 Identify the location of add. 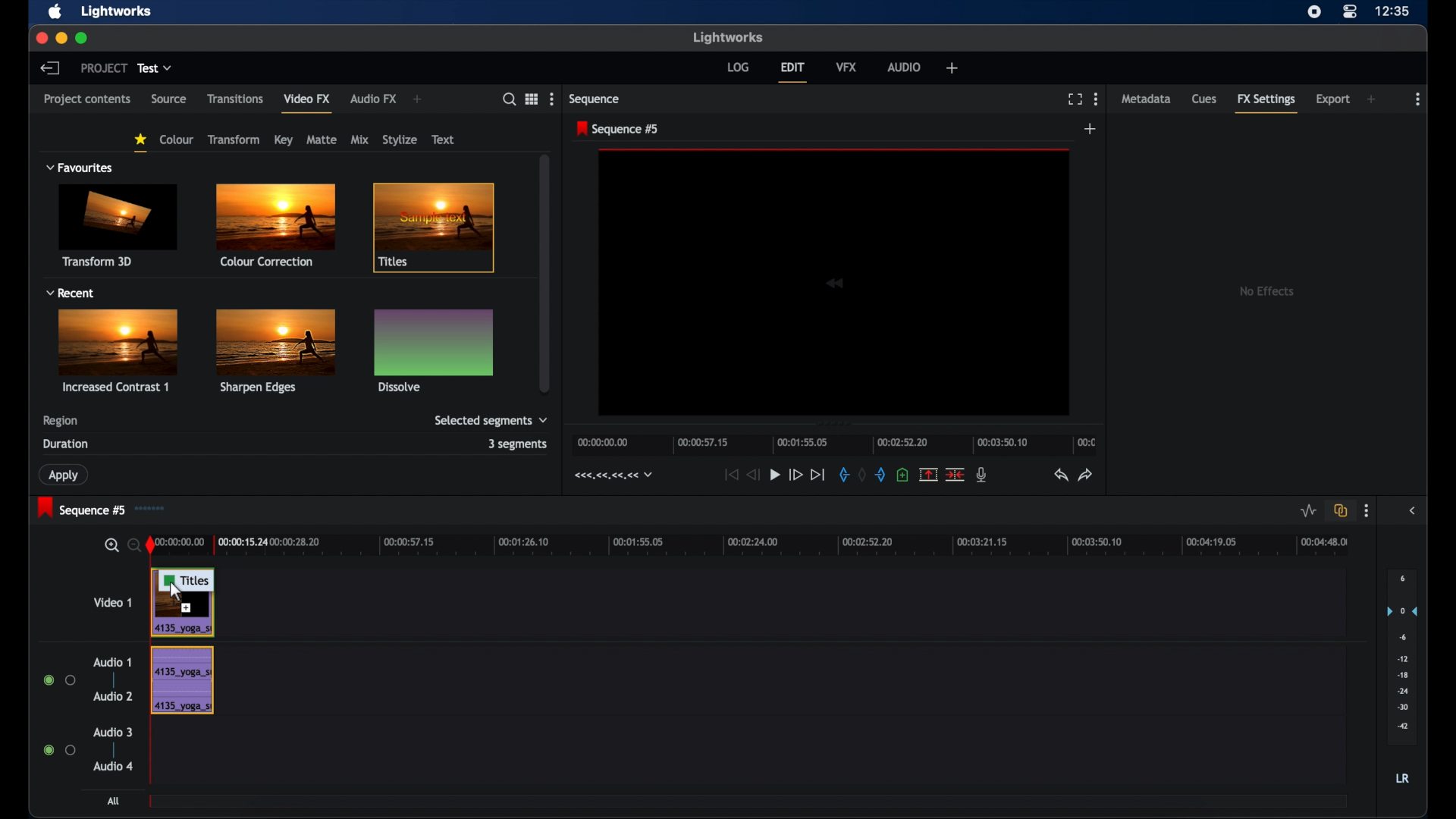
(1373, 99).